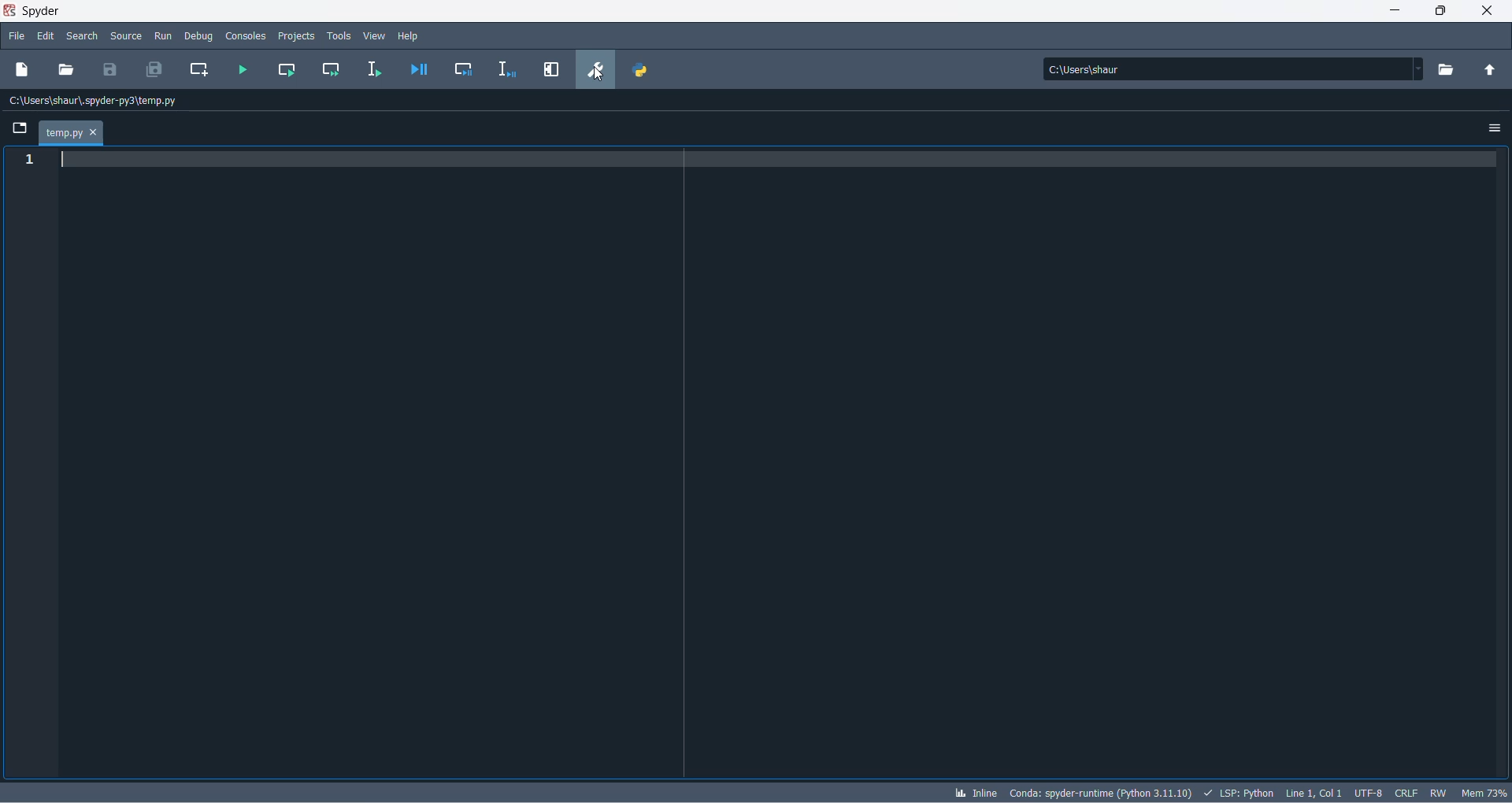 The image size is (1512, 803). What do you see at coordinates (597, 69) in the screenshot?
I see `preferences` at bounding box center [597, 69].